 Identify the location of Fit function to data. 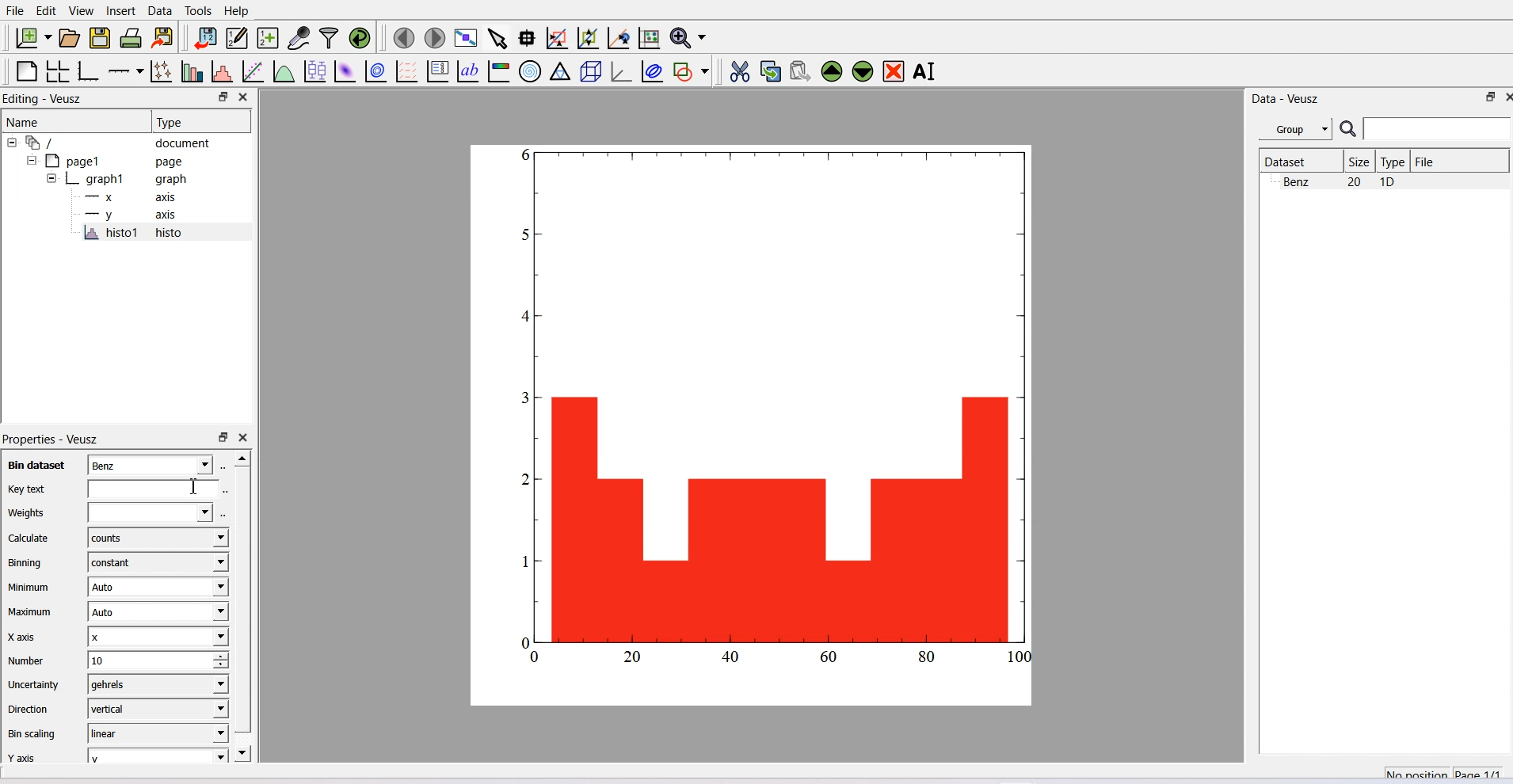
(253, 70).